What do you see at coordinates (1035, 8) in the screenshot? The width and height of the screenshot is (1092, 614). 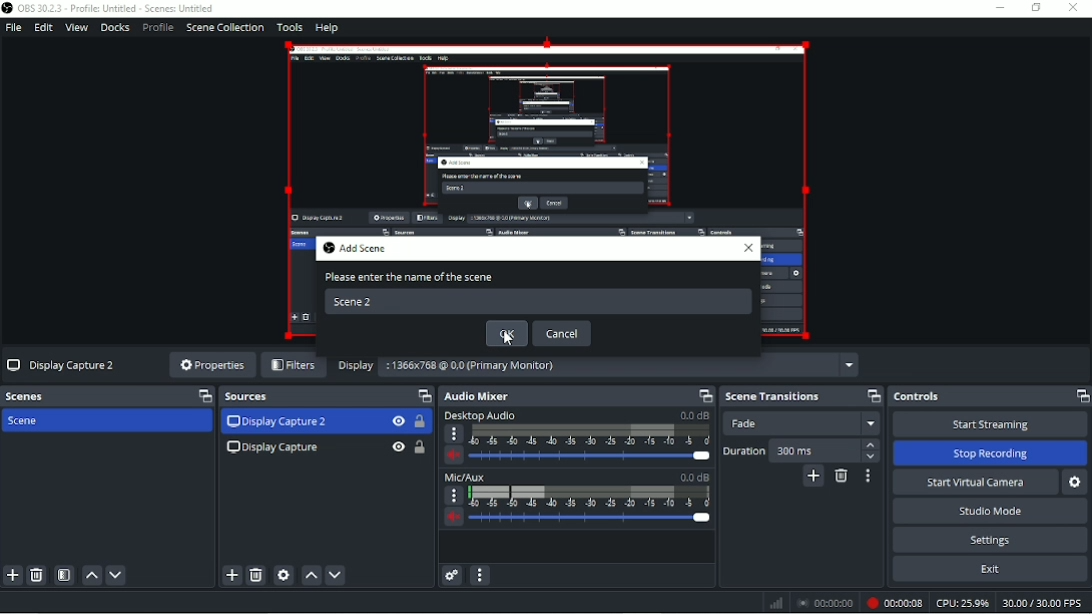 I see `Restore down` at bounding box center [1035, 8].